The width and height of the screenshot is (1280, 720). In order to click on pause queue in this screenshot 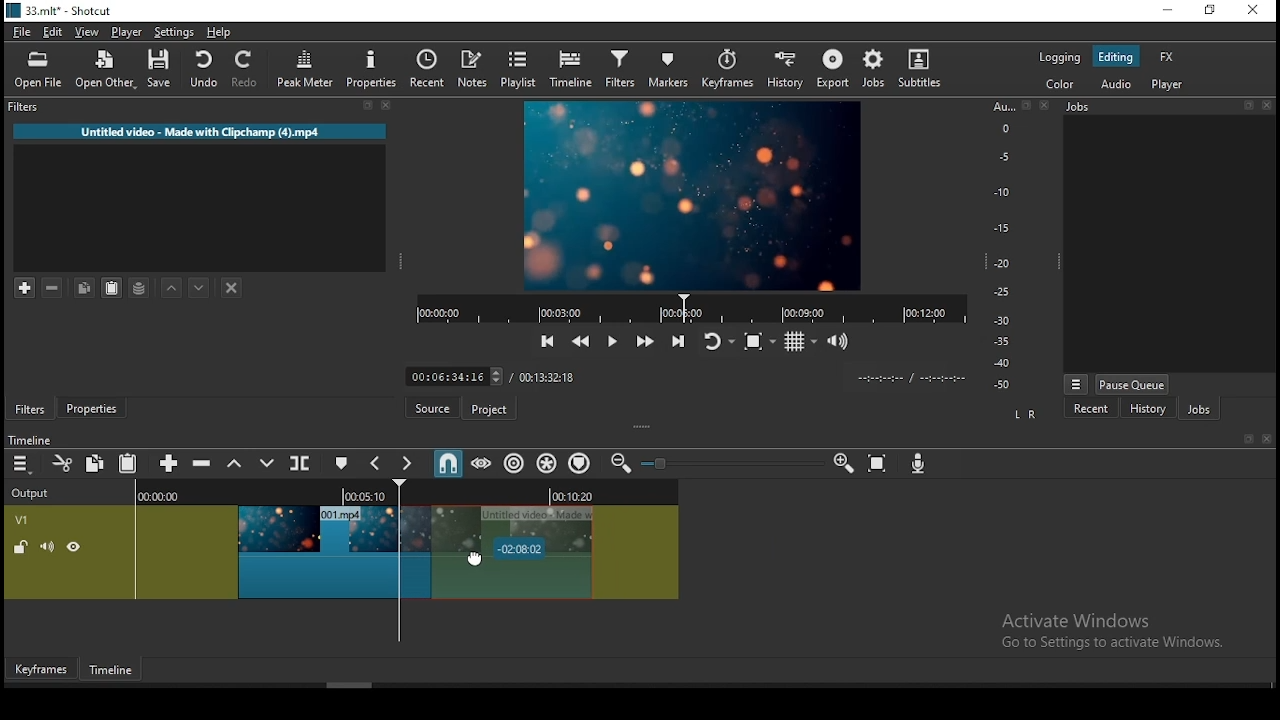, I will do `click(1131, 384)`.